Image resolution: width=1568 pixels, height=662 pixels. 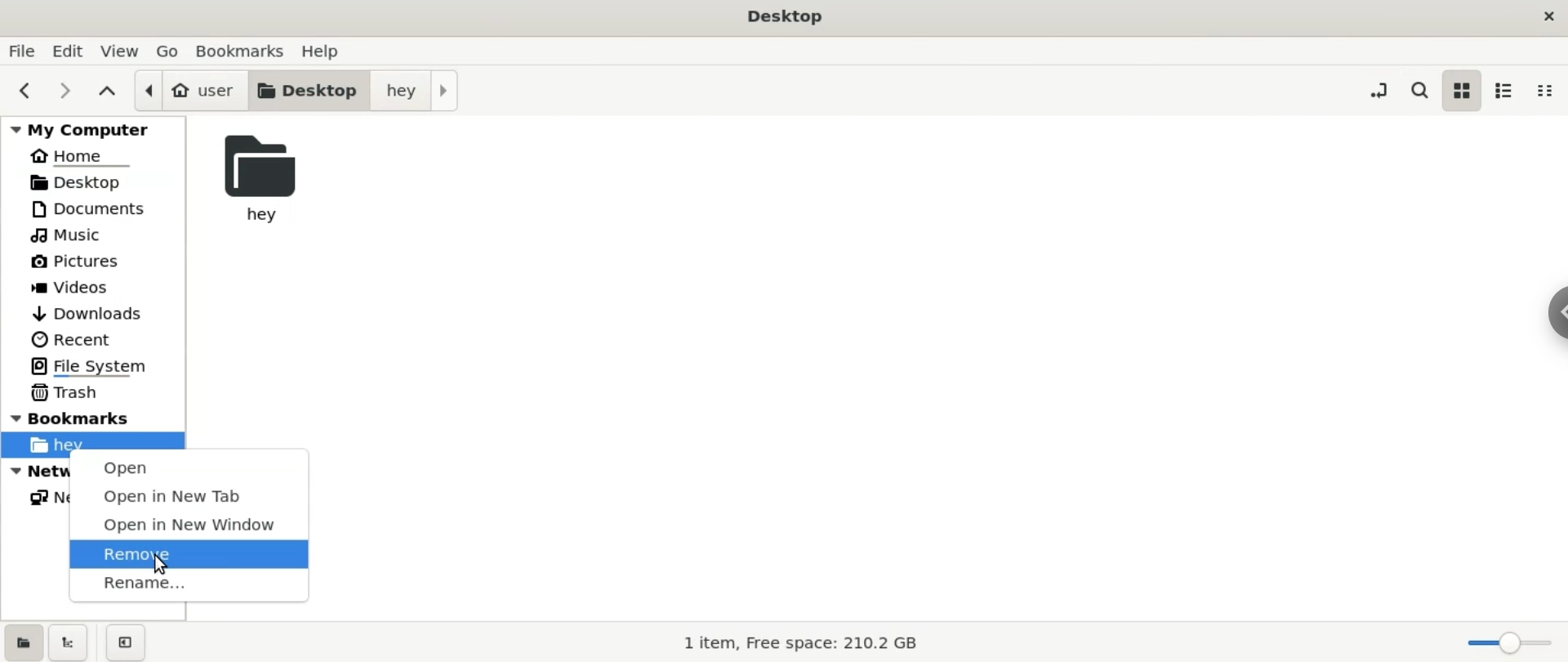 What do you see at coordinates (192, 500) in the screenshot?
I see `open in new tab` at bounding box center [192, 500].